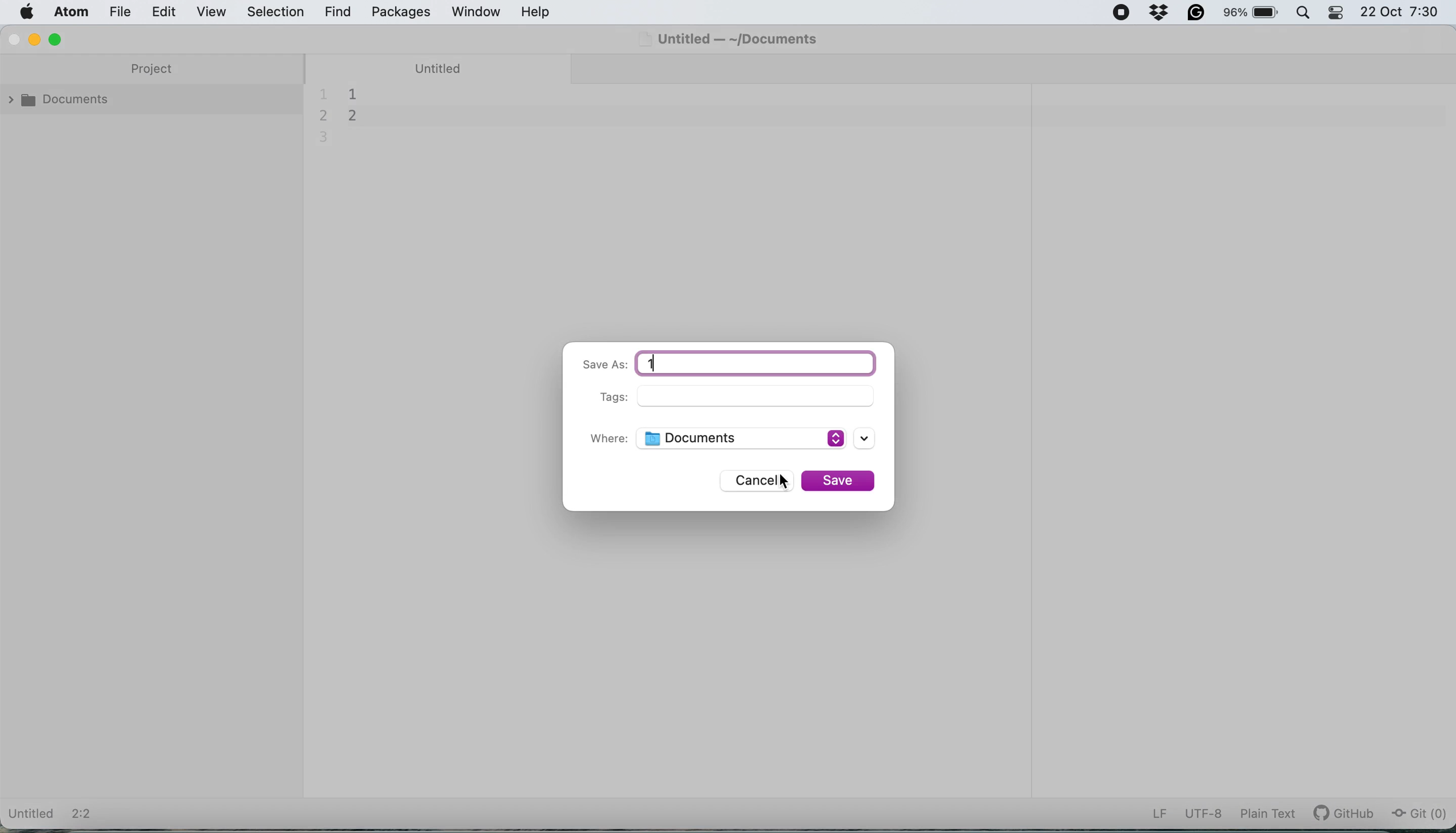 The image size is (1456, 833). What do you see at coordinates (538, 13) in the screenshot?
I see `help` at bounding box center [538, 13].